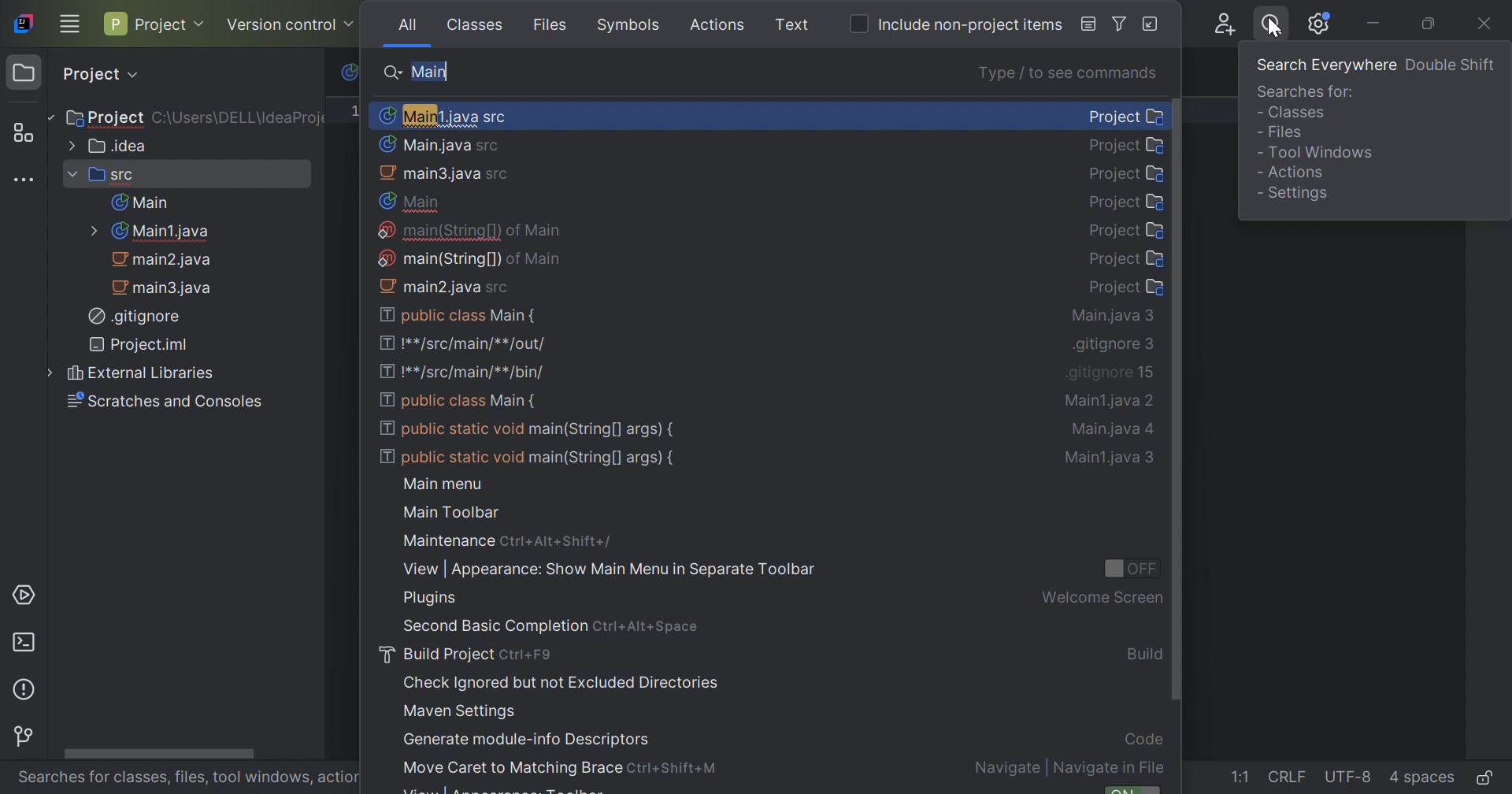  Describe the element at coordinates (676, 770) in the screenshot. I see `Ctrl+Shift+M` at that location.